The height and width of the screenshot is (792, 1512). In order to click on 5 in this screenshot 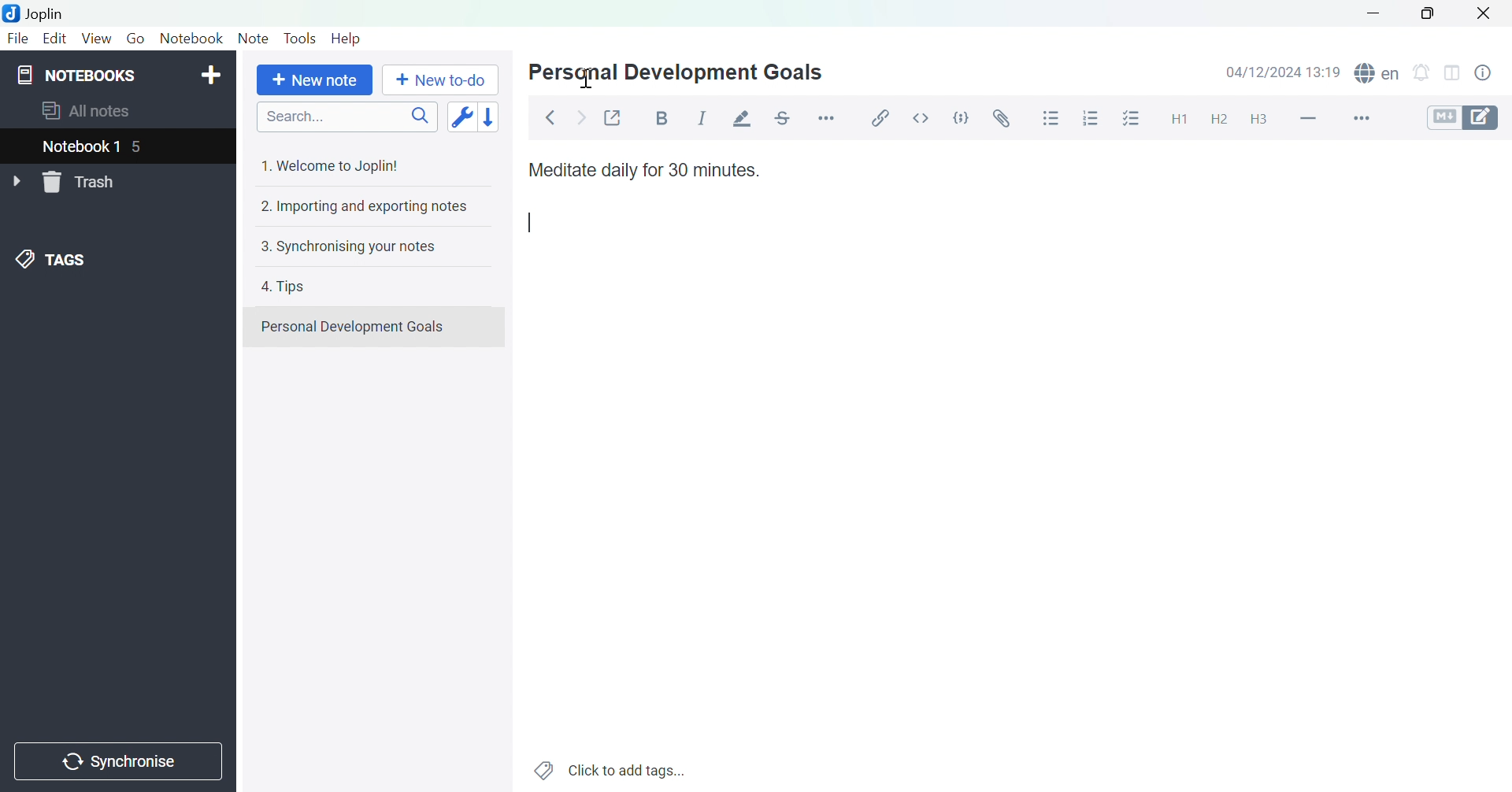, I will do `click(144, 146)`.